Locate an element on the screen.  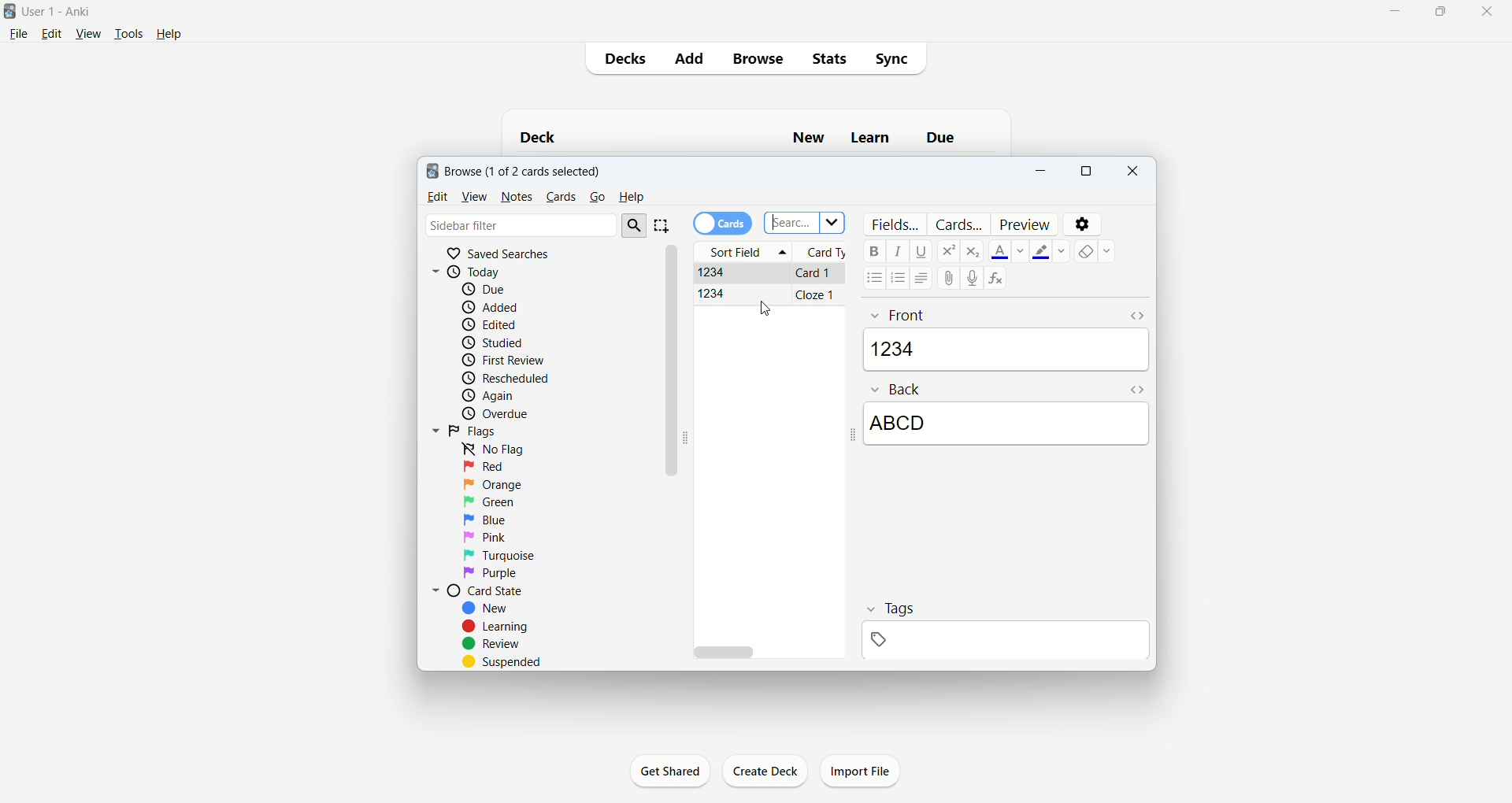
pink is located at coordinates (485, 537).